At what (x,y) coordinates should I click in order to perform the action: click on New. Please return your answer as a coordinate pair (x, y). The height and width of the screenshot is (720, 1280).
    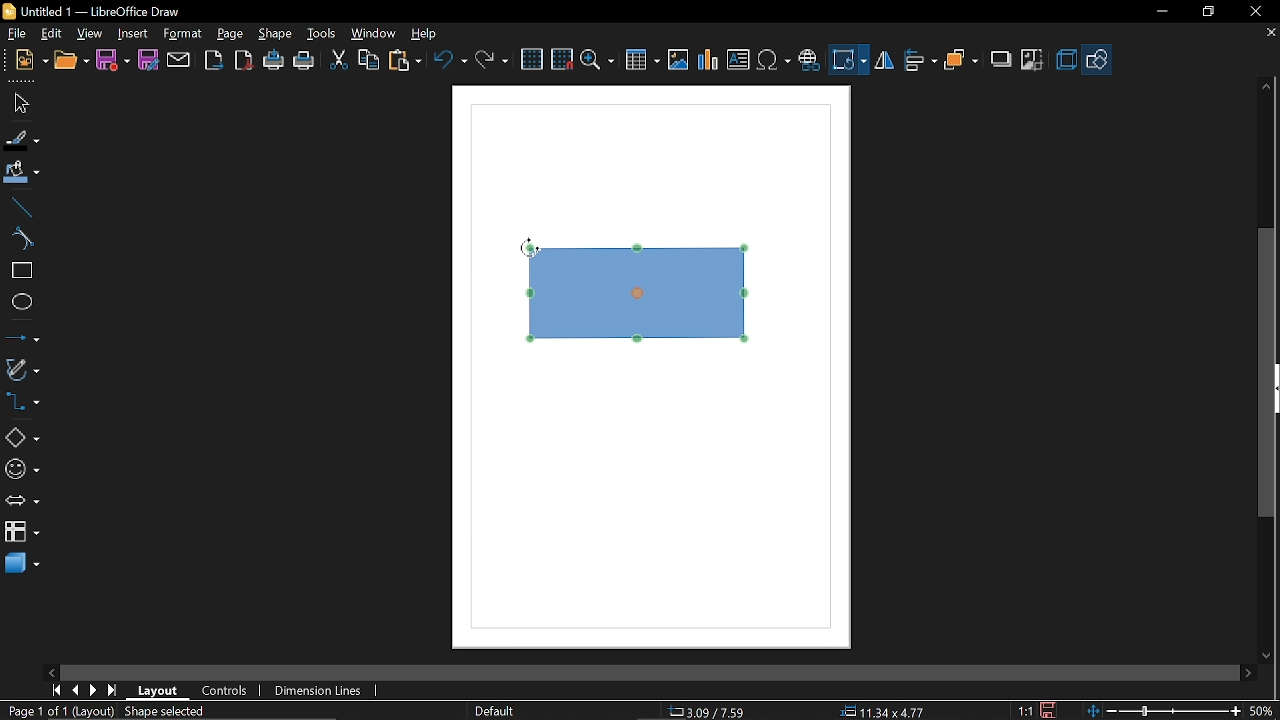
    Looking at the image, I should click on (25, 61).